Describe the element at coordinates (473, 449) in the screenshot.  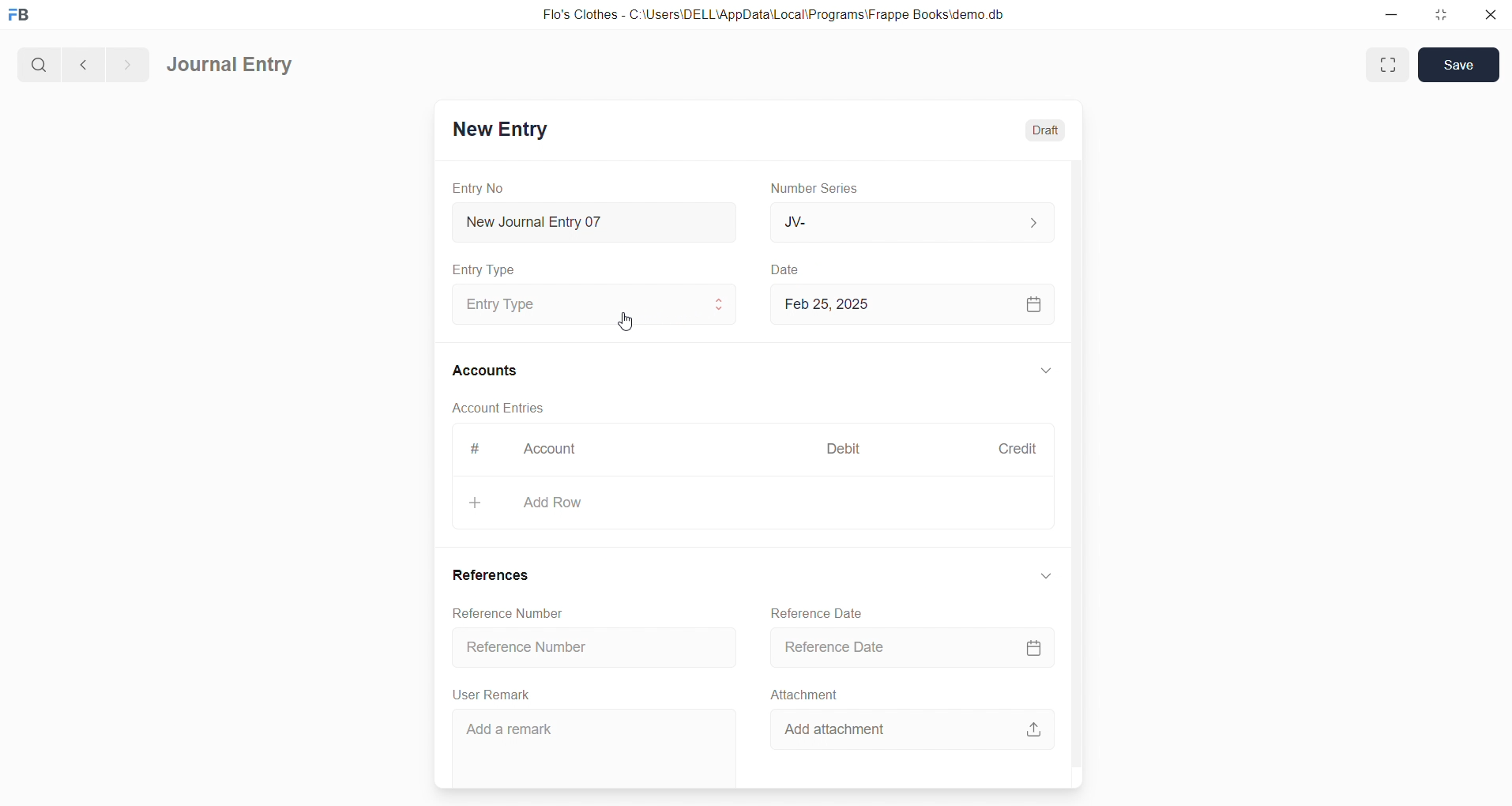
I see `#` at that location.